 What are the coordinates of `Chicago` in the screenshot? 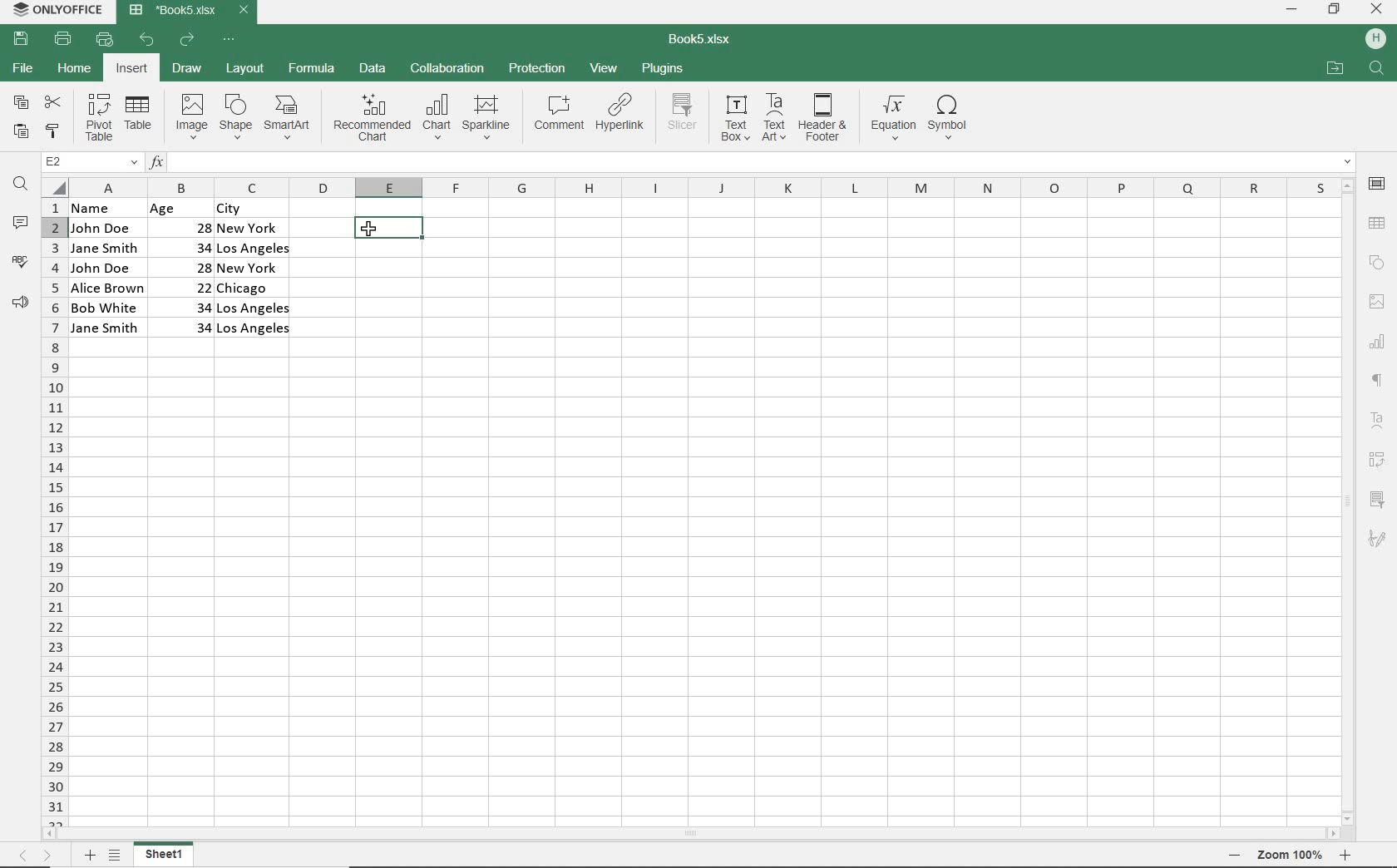 It's located at (255, 289).